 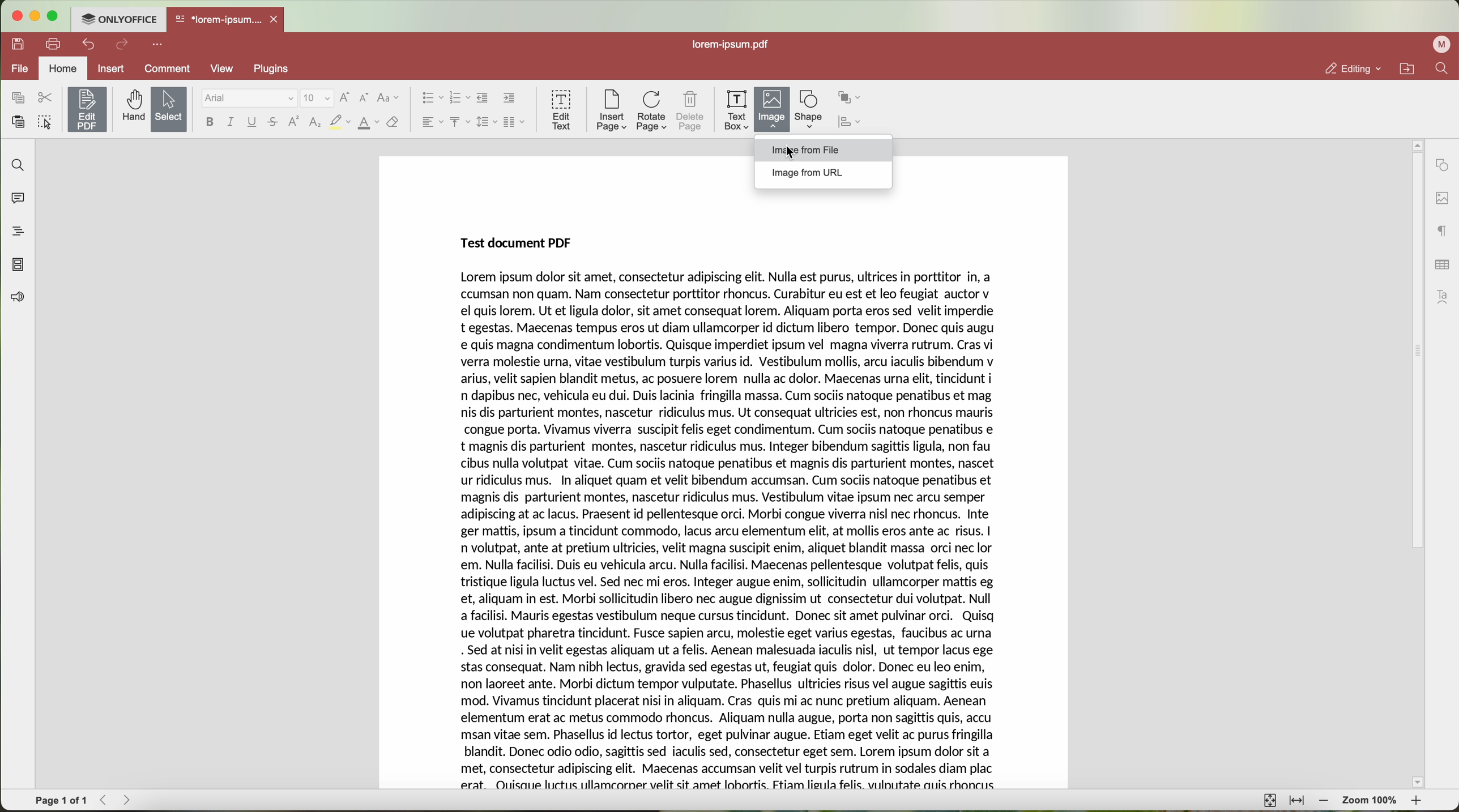 I want to click on highlight color, so click(x=339, y=123).